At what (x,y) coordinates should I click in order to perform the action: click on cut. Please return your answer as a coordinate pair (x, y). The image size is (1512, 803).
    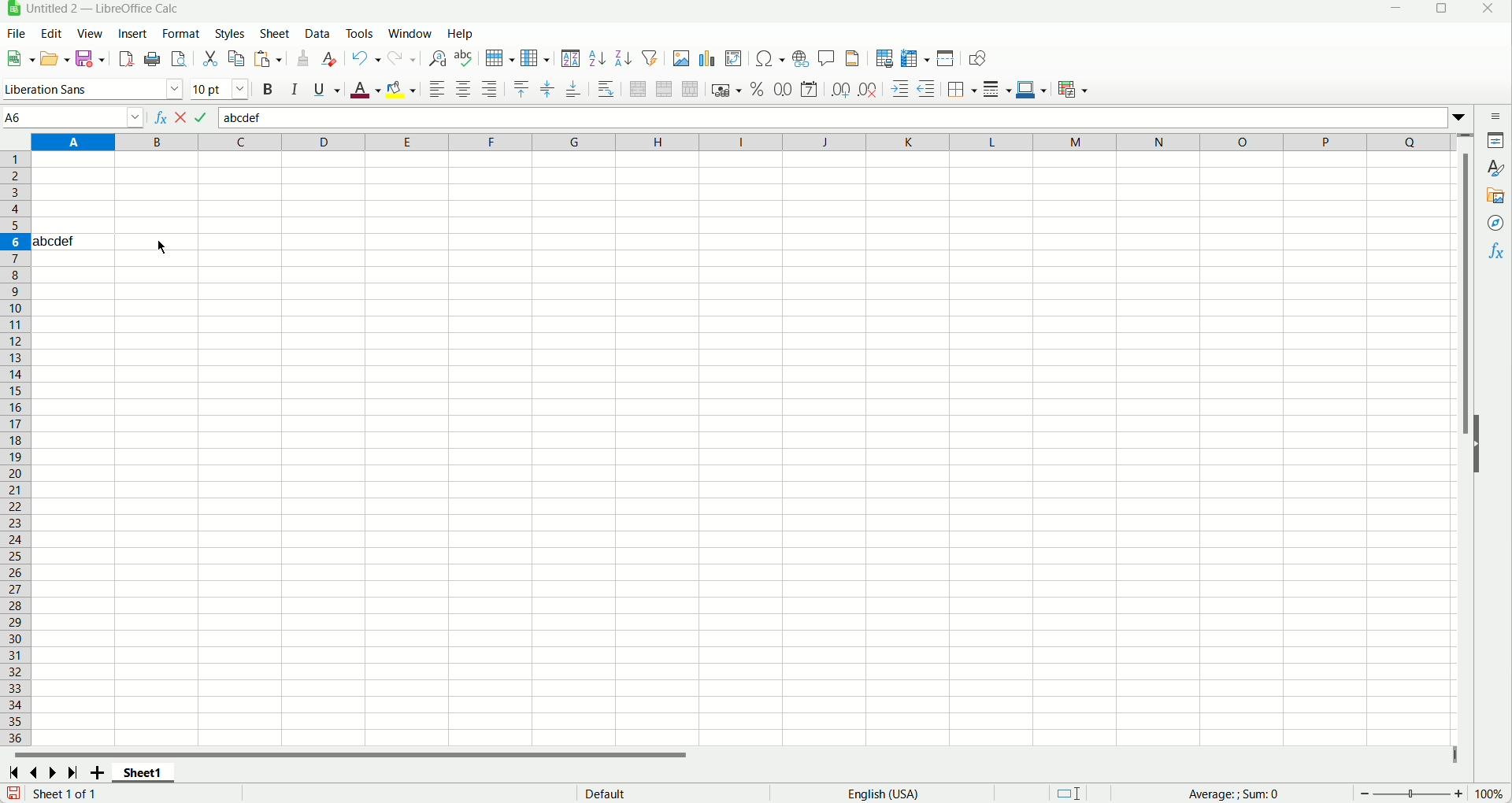
    Looking at the image, I should click on (209, 60).